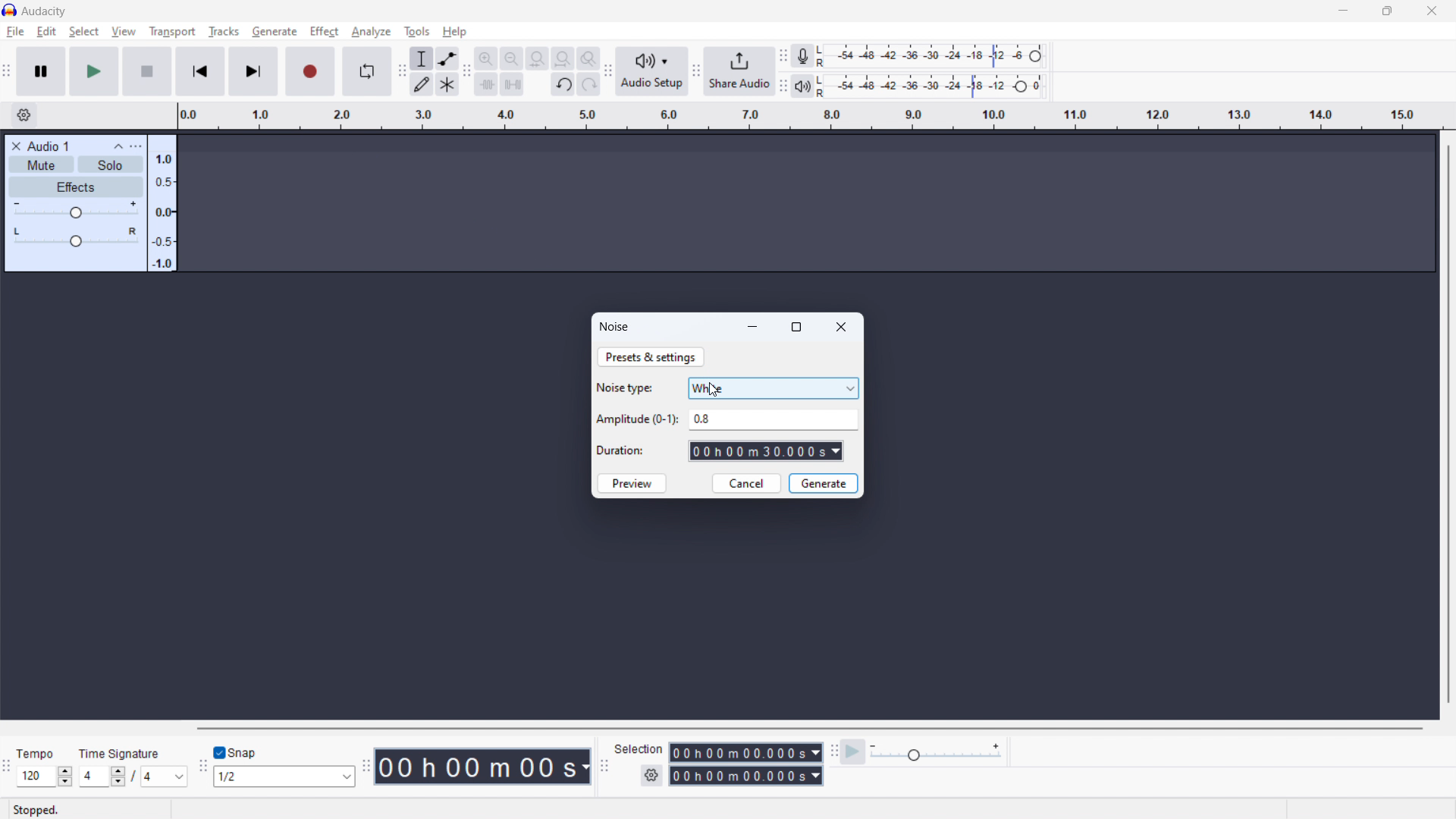  Describe the element at coordinates (223, 32) in the screenshot. I see `tracks` at that location.